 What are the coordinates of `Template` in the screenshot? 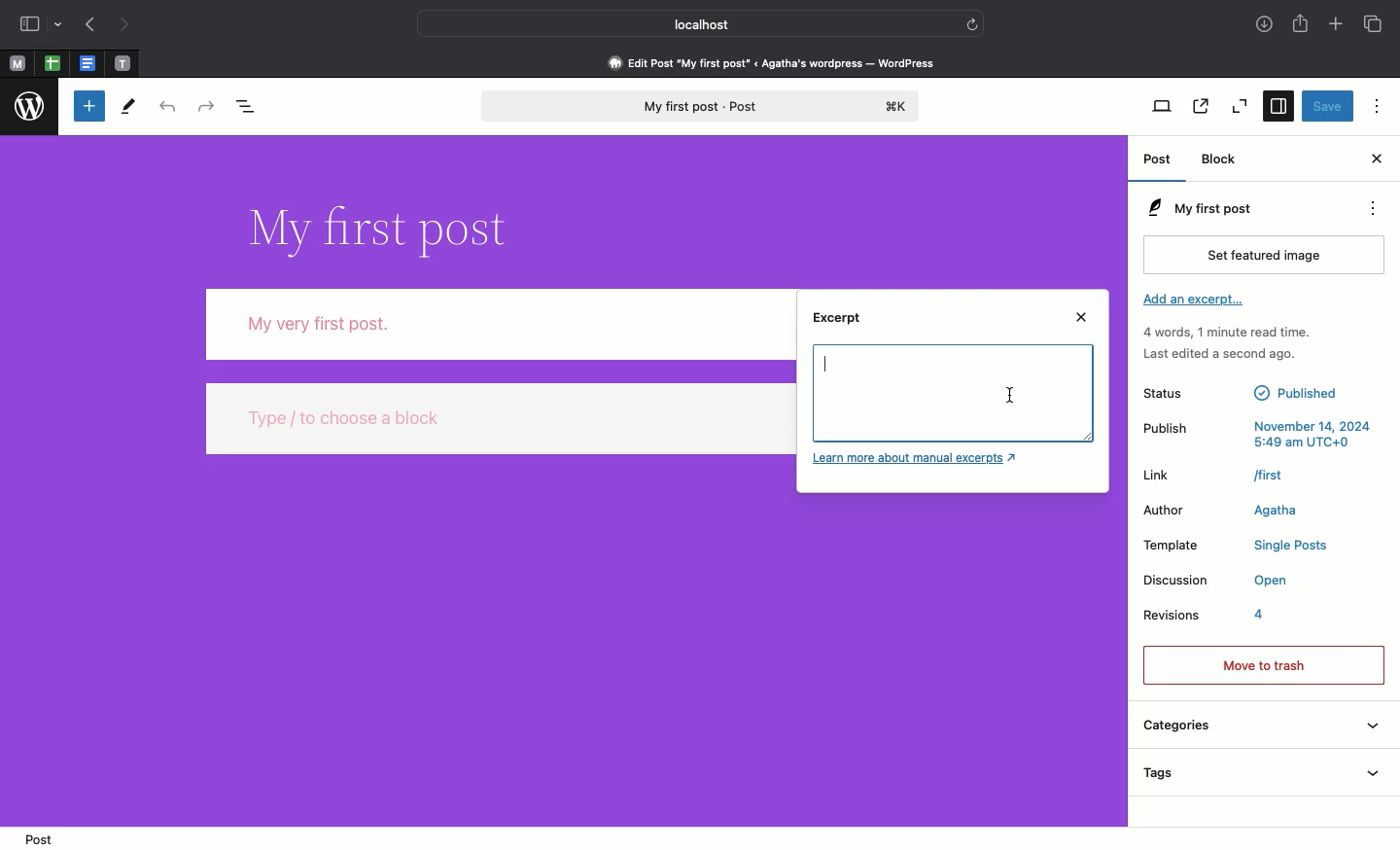 It's located at (1236, 547).